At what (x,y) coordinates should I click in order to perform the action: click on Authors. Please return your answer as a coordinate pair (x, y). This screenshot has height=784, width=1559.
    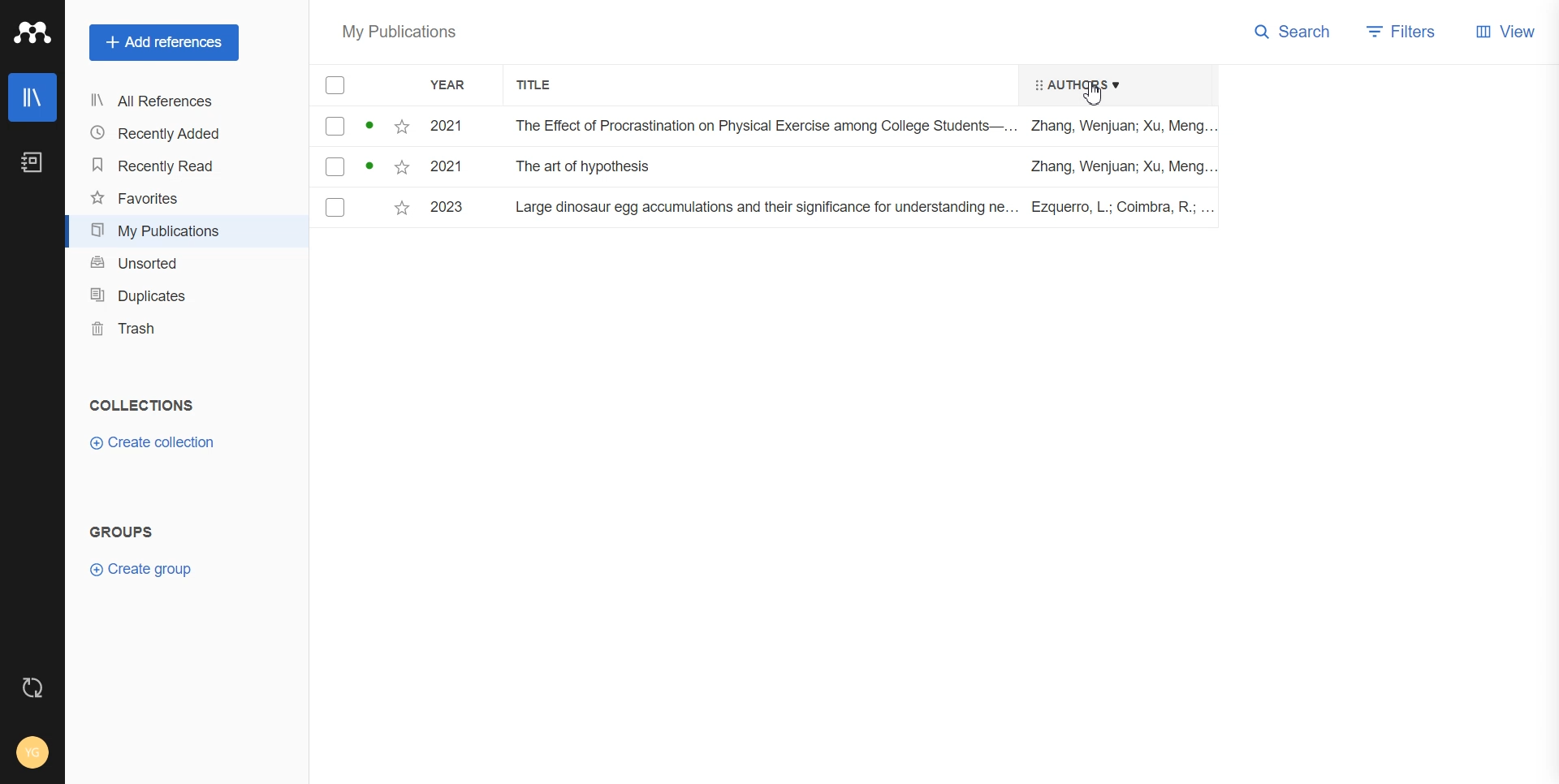
    Looking at the image, I should click on (1071, 84).